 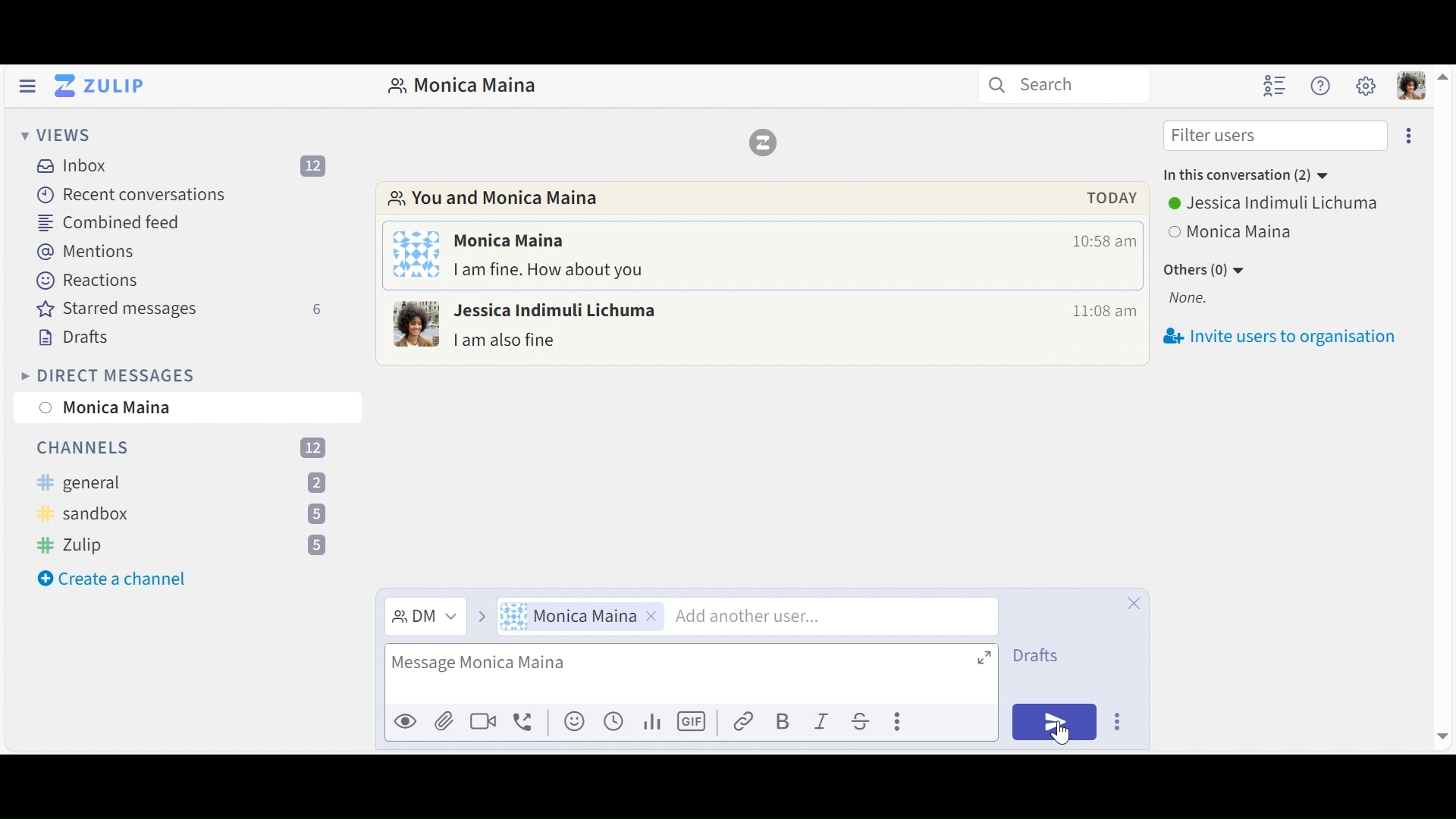 What do you see at coordinates (188, 168) in the screenshot?
I see `Inbox` at bounding box center [188, 168].